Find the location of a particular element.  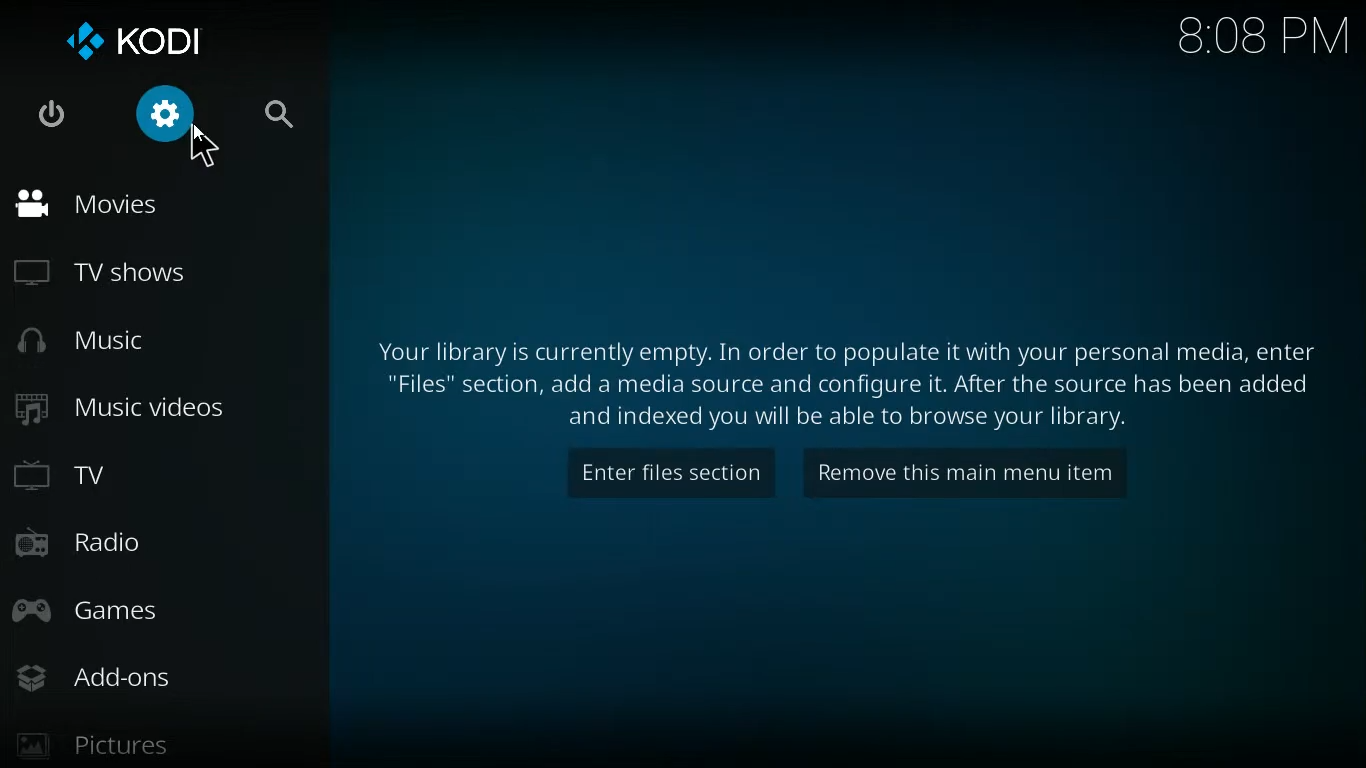

movies is located at coordinates (122, 208).